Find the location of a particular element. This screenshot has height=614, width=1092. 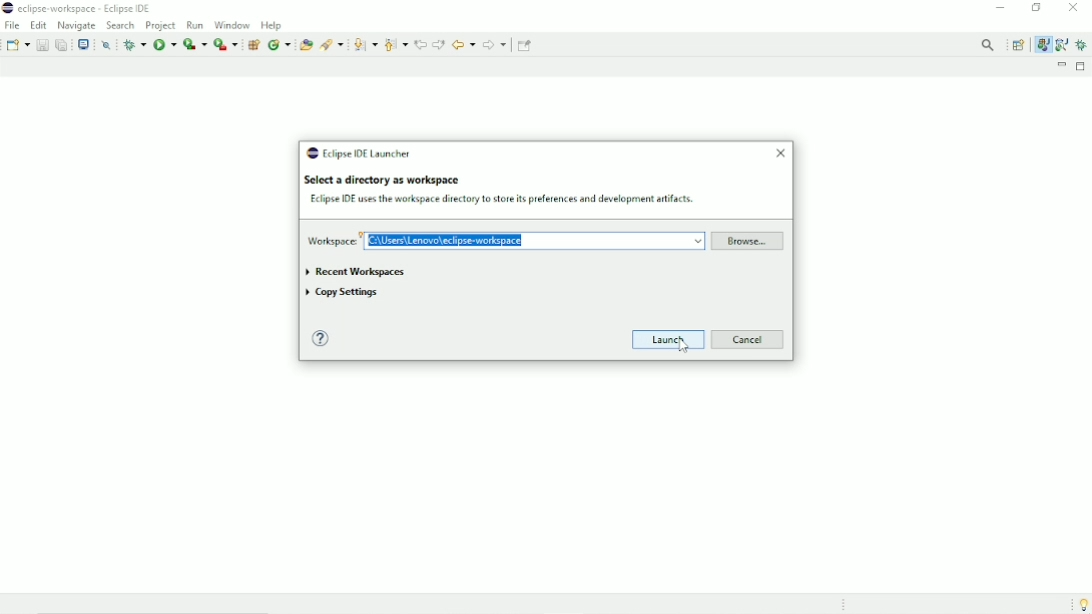

Recent workspaces is located at coordinates (355, 271).